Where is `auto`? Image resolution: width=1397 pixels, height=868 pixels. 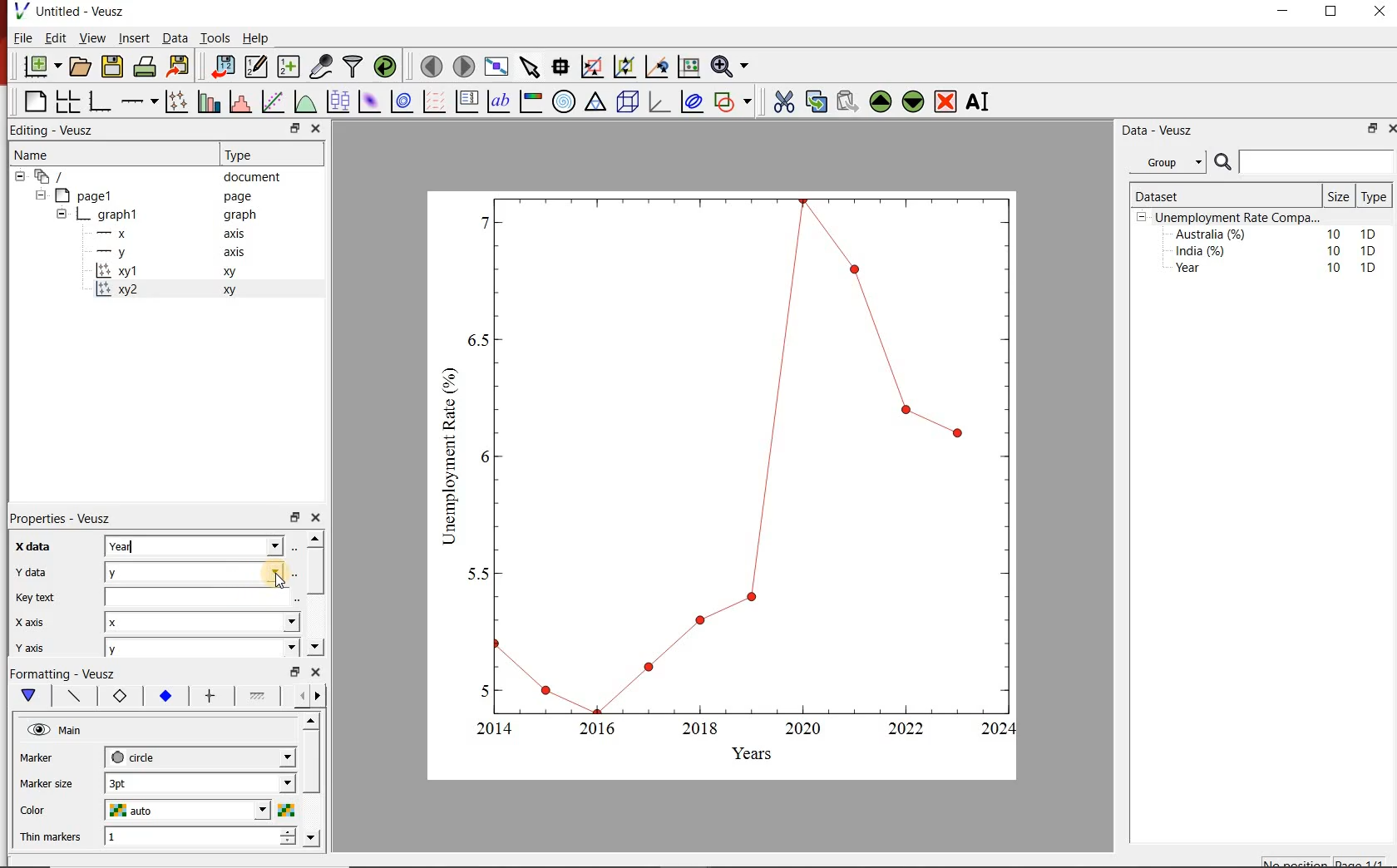 auto is located at coordinates (190, 811).